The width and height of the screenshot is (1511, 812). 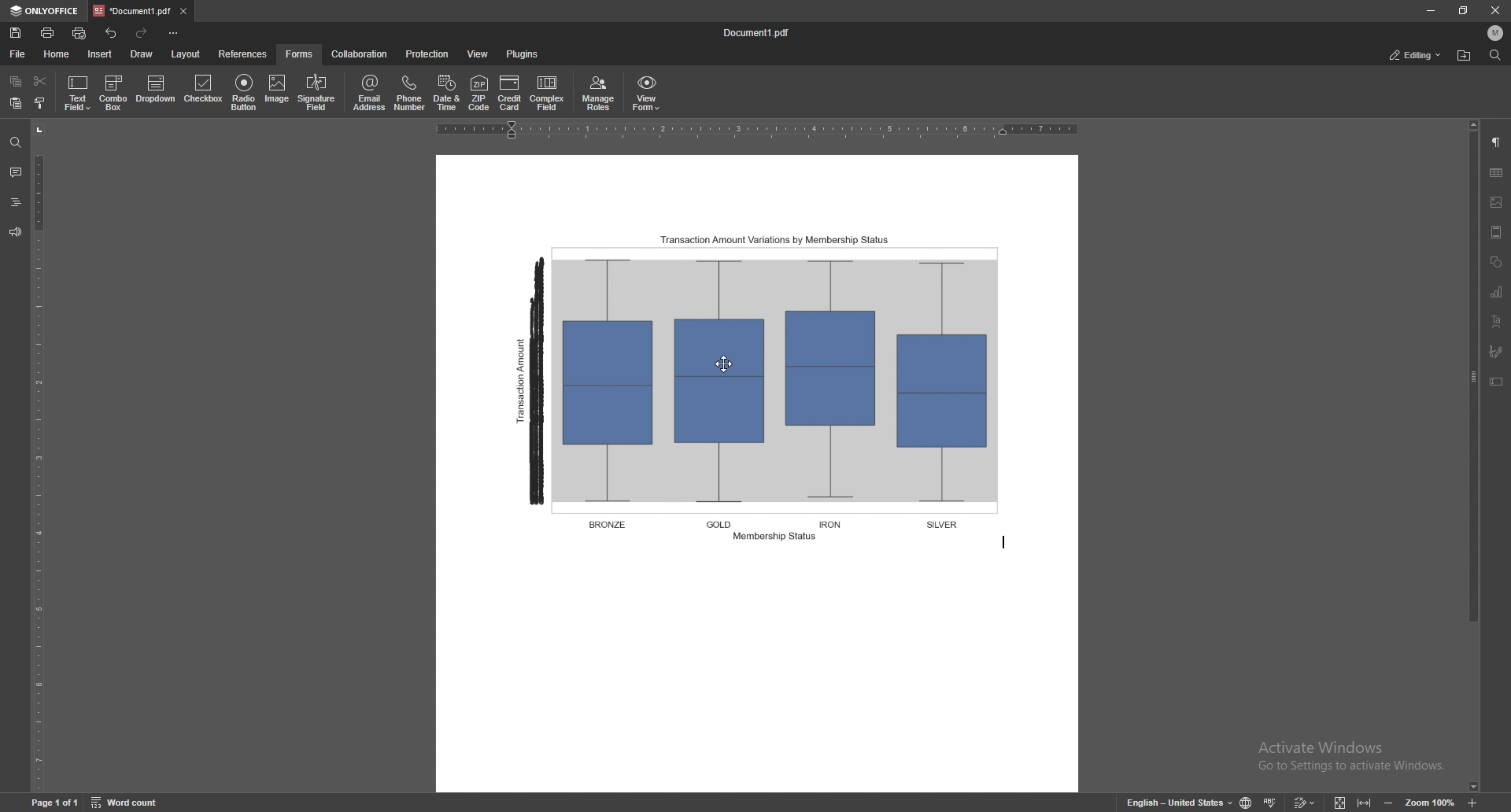 What do you see at coordinates (1495, 261) in the screenshot?
I see `shapes` at bounding box center [1495, 261].